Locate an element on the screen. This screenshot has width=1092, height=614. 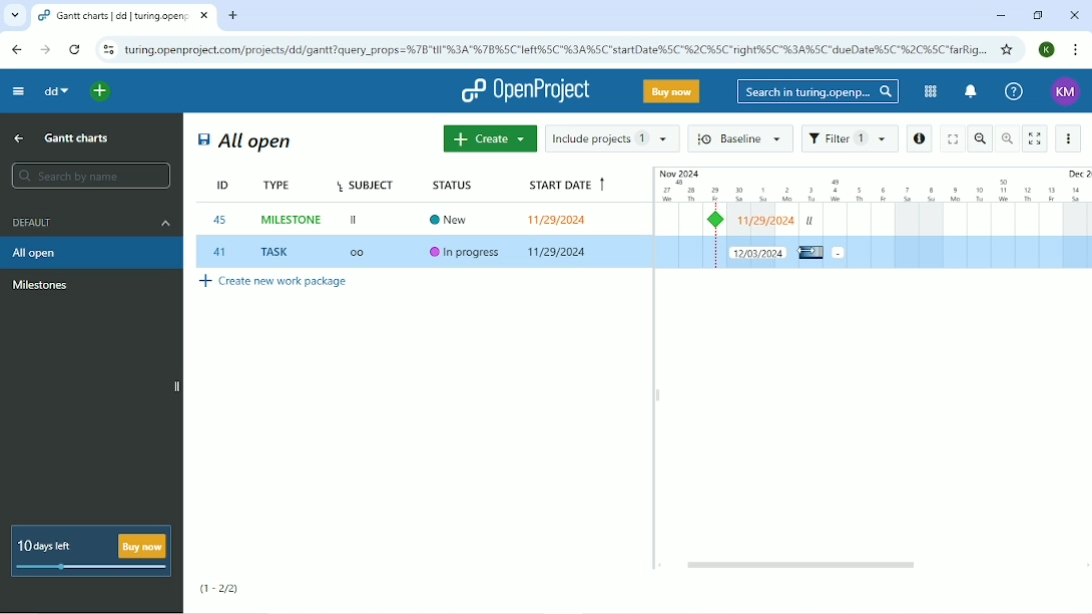
Milestone start date is located at coordinates (767, 221).